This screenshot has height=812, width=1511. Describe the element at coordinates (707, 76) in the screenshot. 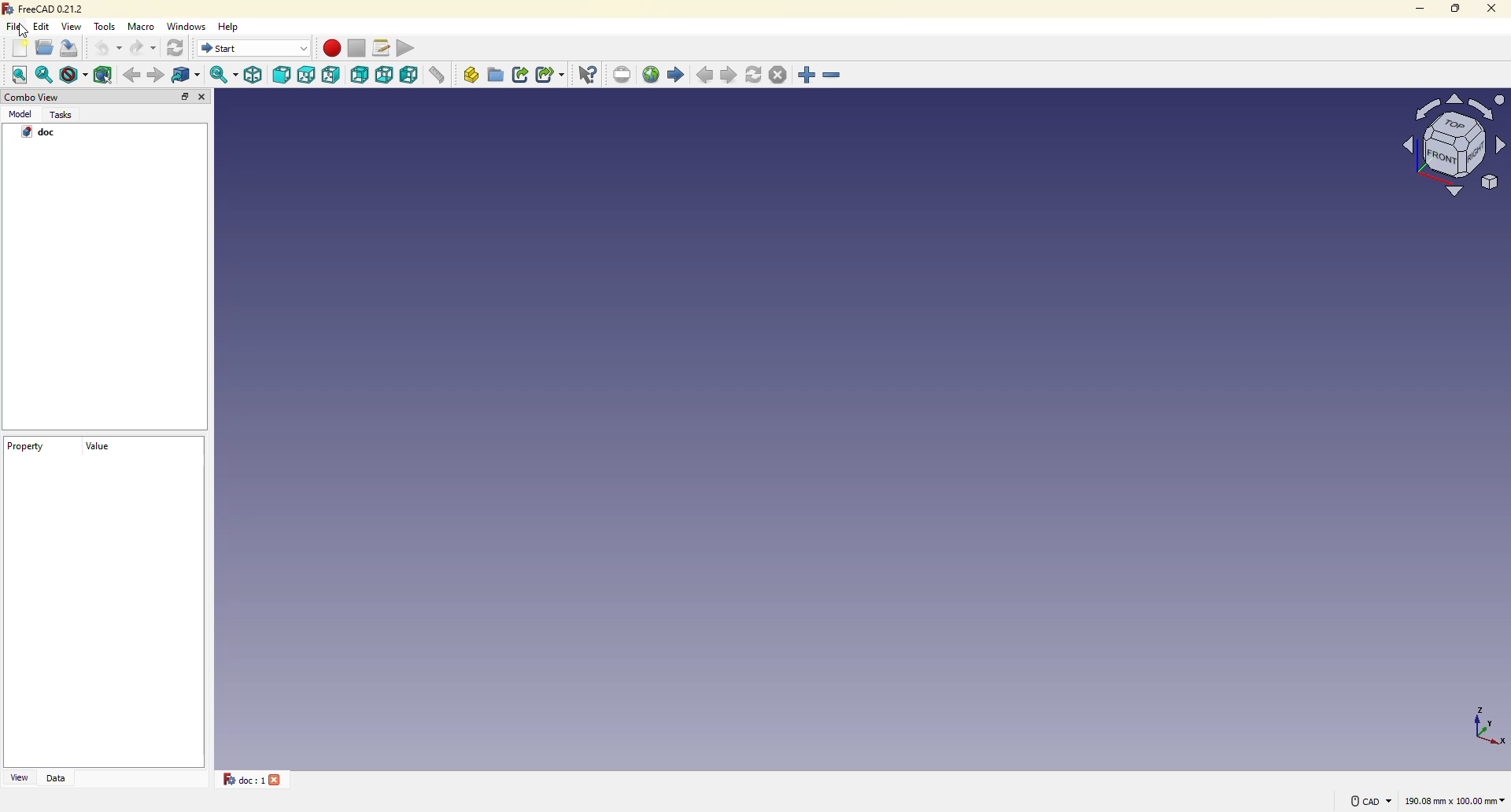

I see `previous page` at that location.